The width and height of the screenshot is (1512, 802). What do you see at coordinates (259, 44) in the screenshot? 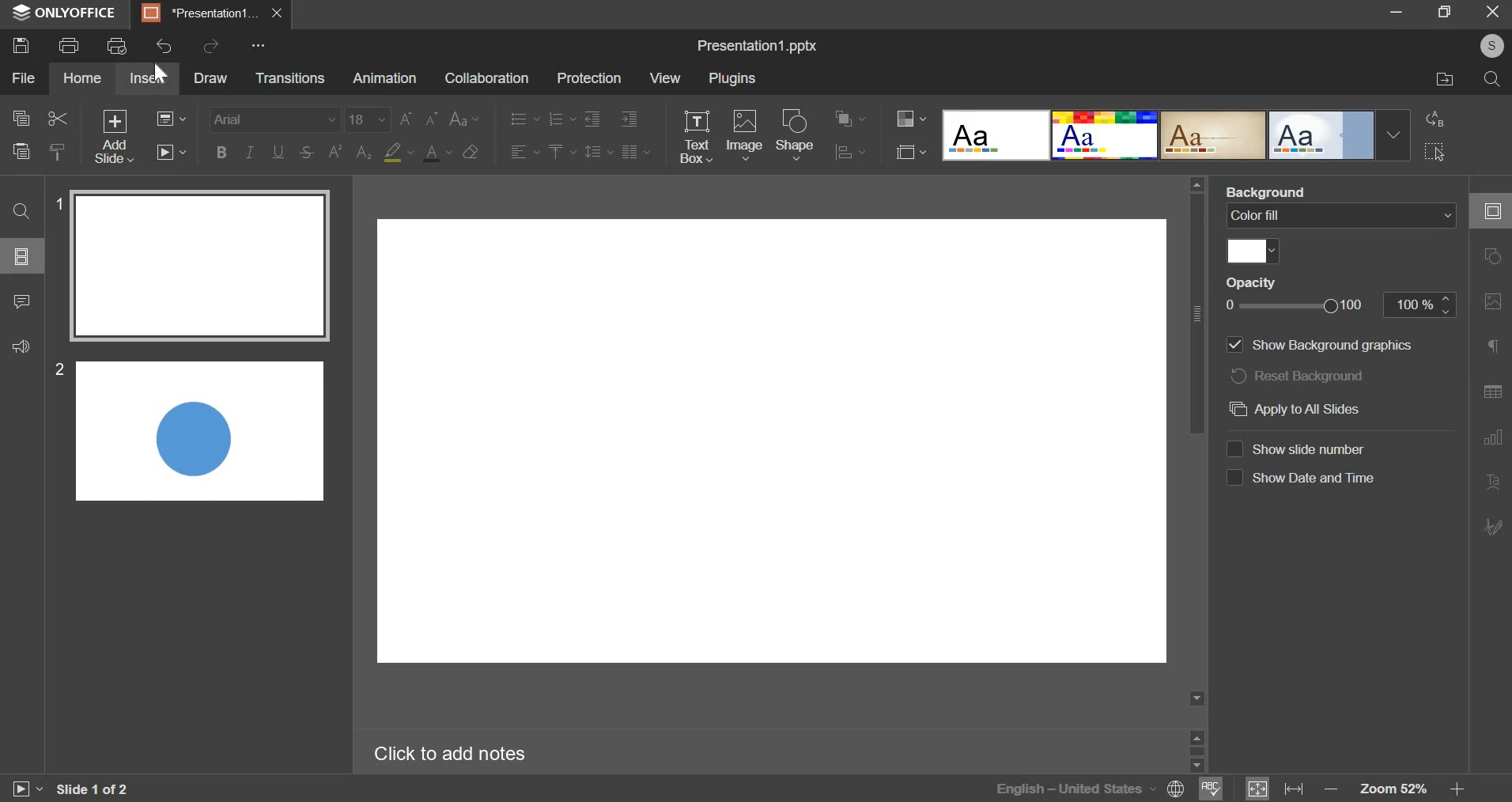
I see `customise quick access` at bounding box center [259, 44].